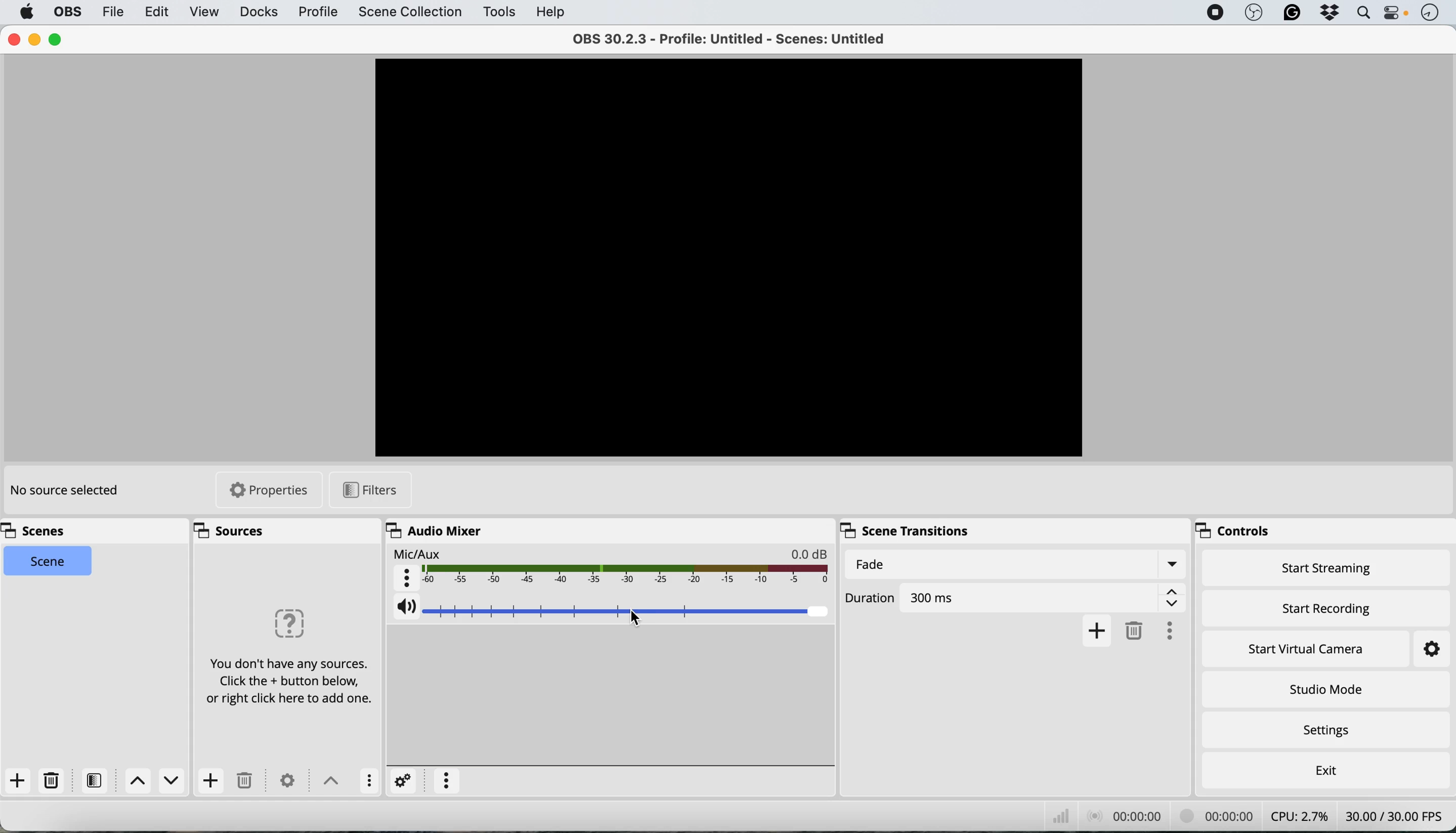  What do you see at coordinates (1016, 564) in the screenshot?
I see `fade` at bounding box center [1016, 564].